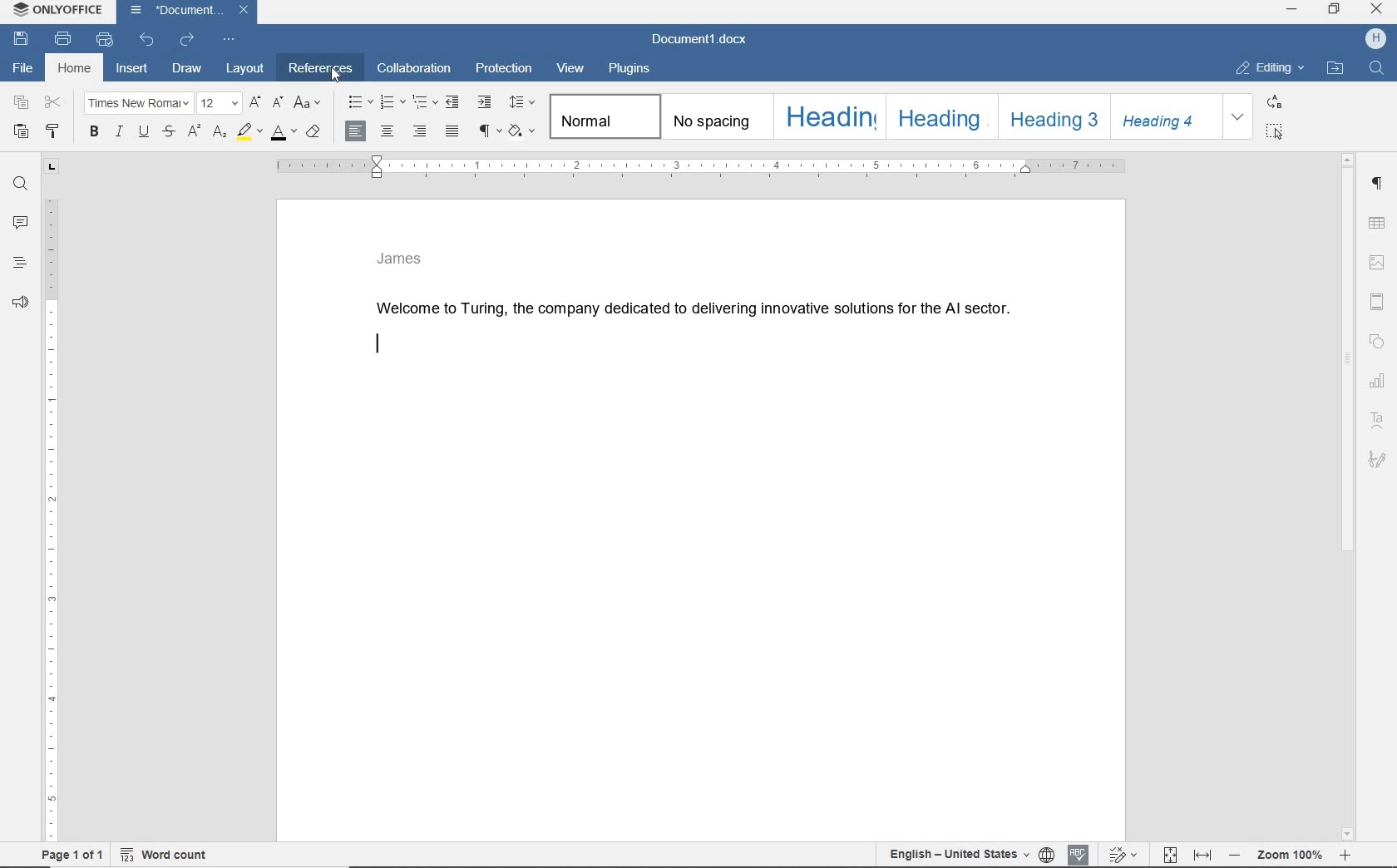  I want to click on chart, so click(1379, 383).